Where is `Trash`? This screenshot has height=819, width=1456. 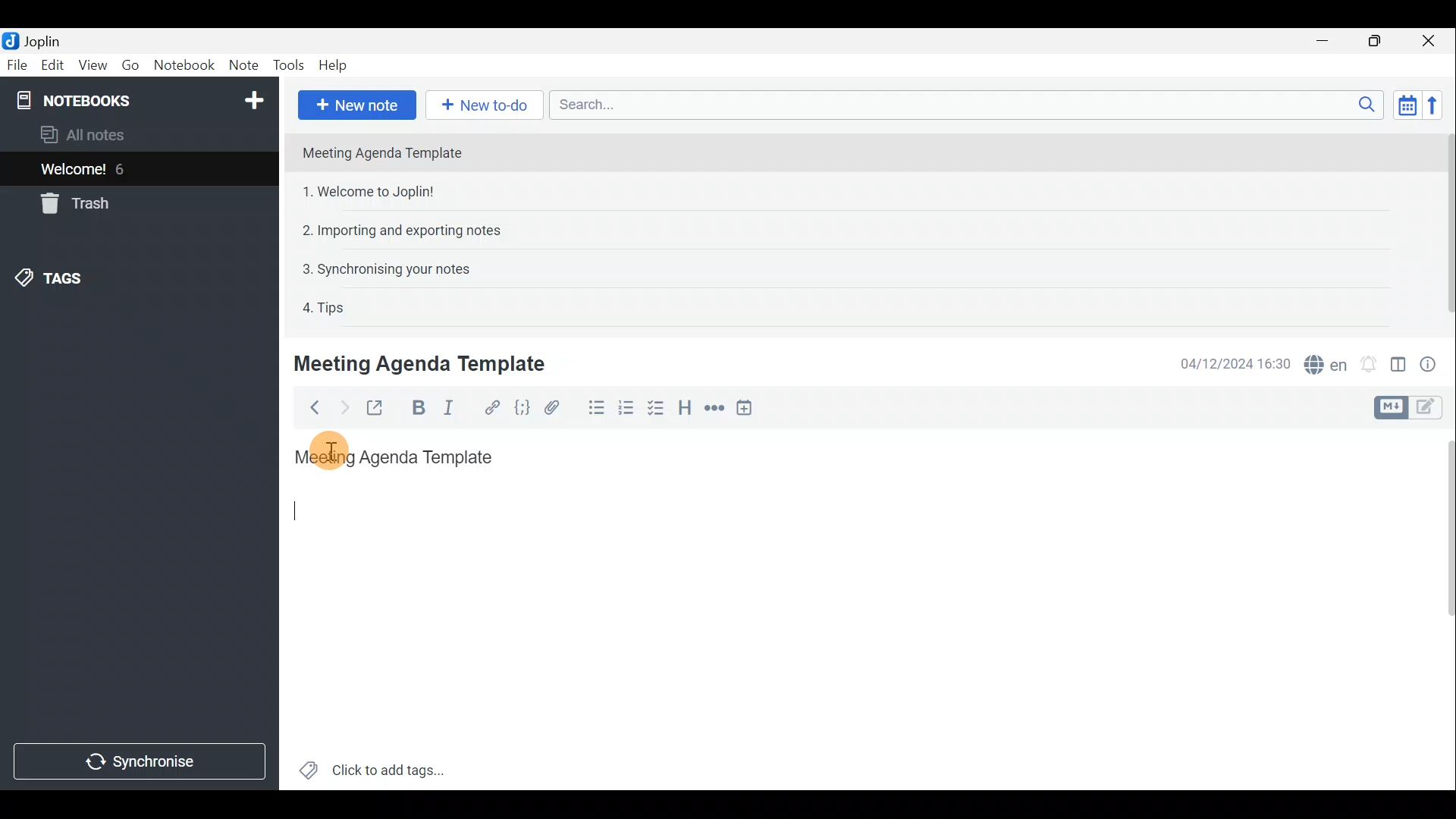 Trash is located at coordinates (72, 203).